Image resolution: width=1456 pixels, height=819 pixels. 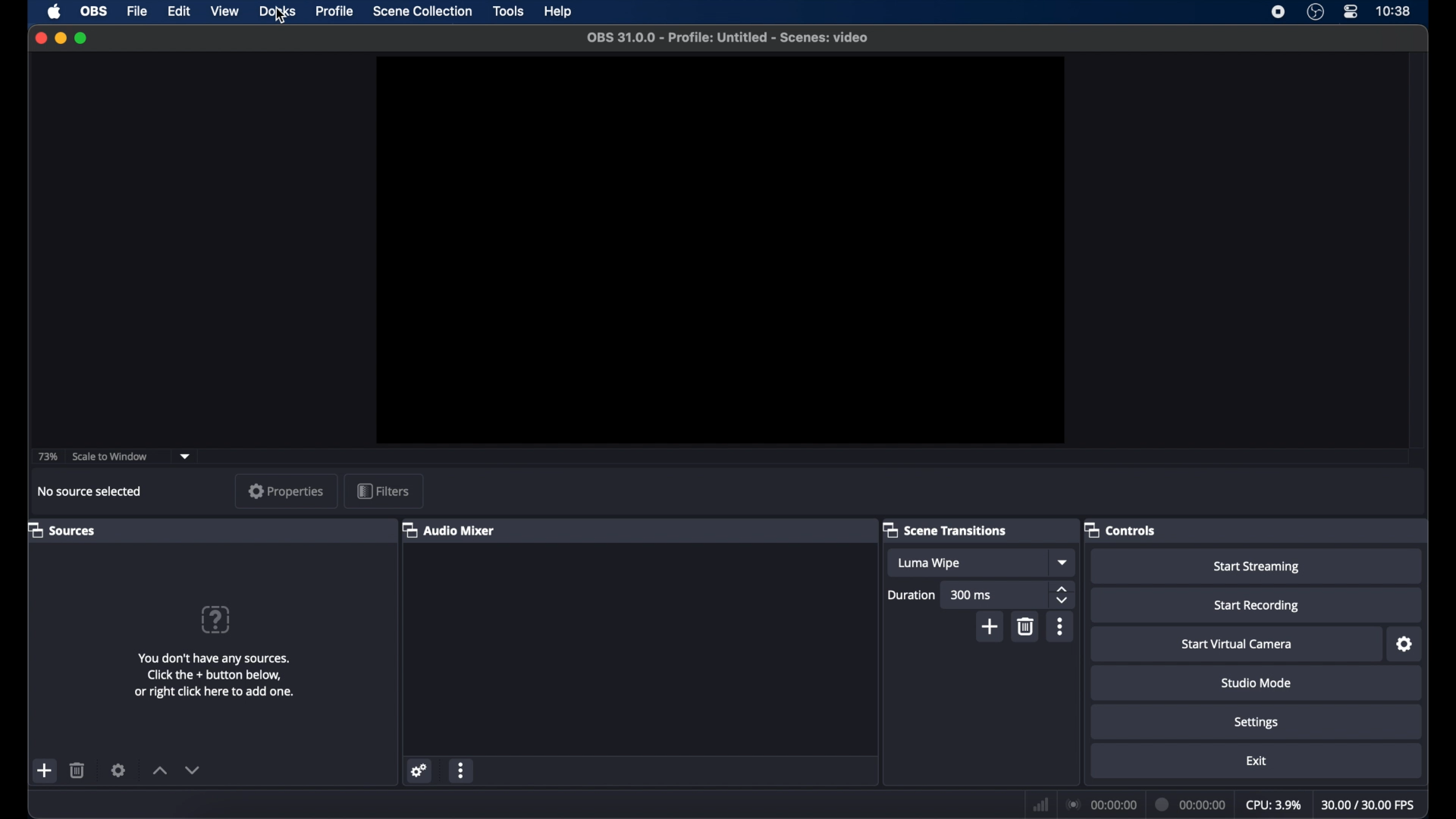 I want to click on start streaming, so click(x=1260, y=567).